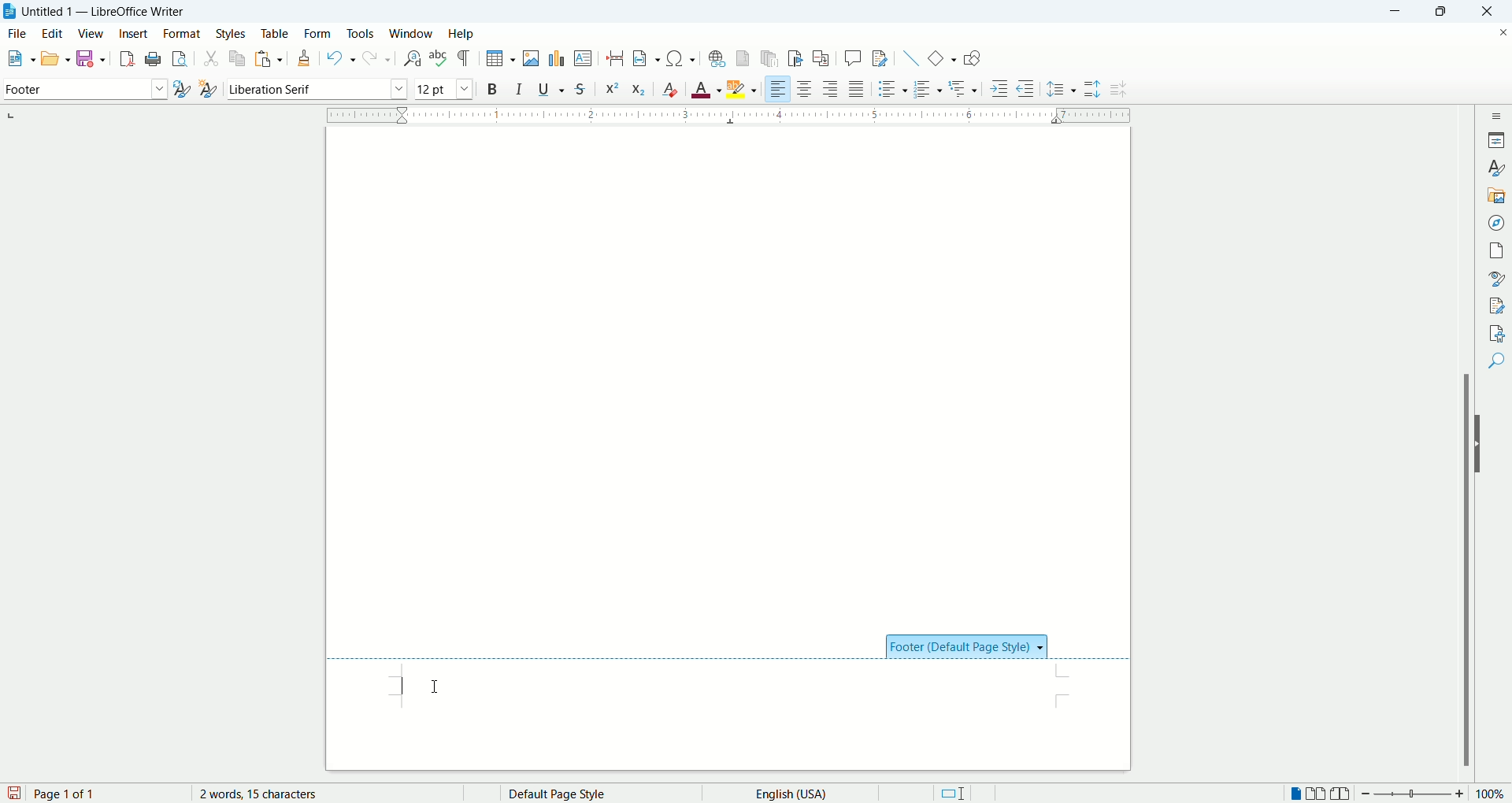  What do you see at coordinates (639, 91) in the screenshot?
I see `subscript` at bounding box center [639, 91].